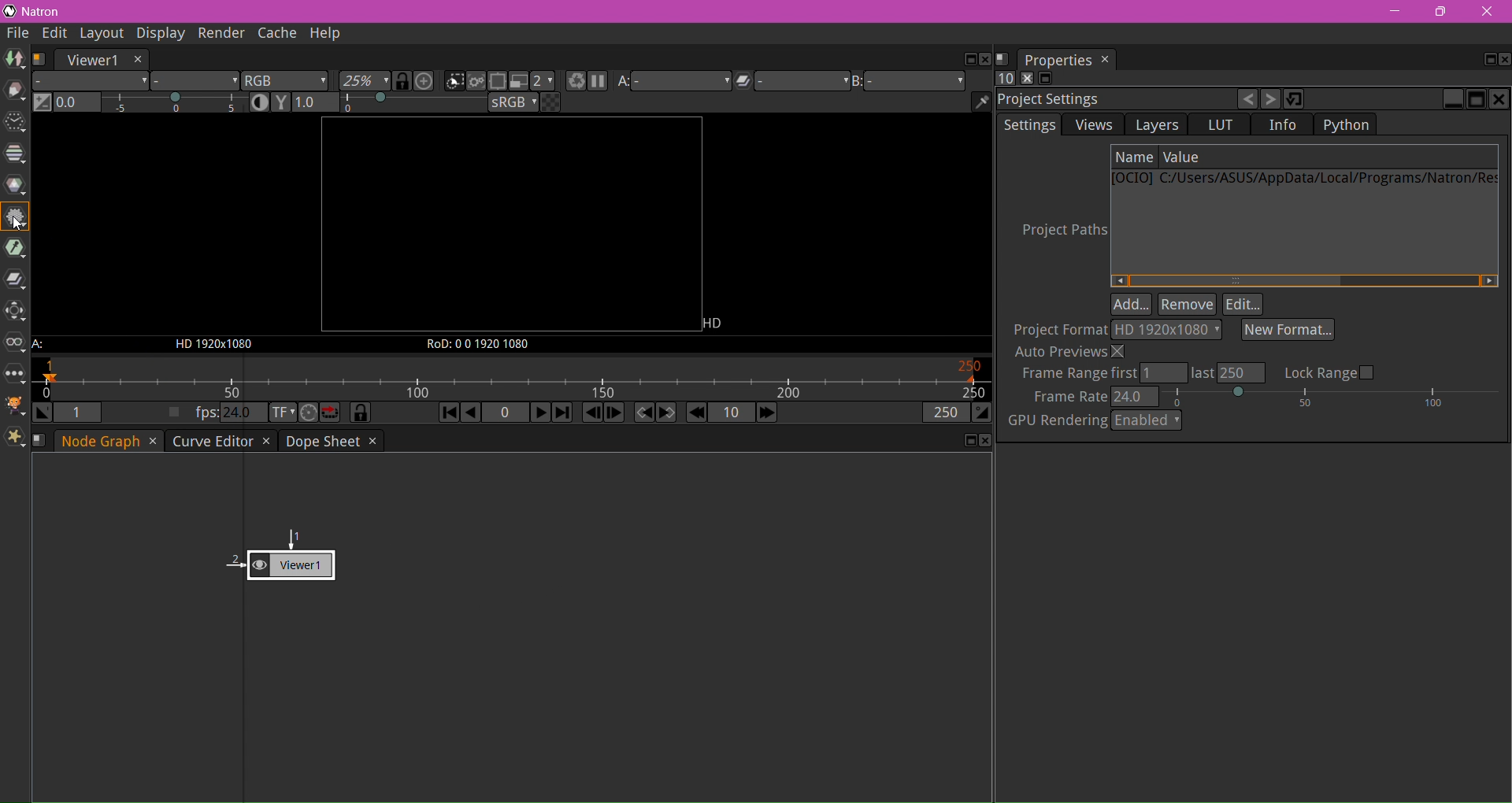 The height and width of the screenshot is (803, 1512). Describe the element at coordinates (210, 441) in the screenshot. I see `Curve Editor` at that location.